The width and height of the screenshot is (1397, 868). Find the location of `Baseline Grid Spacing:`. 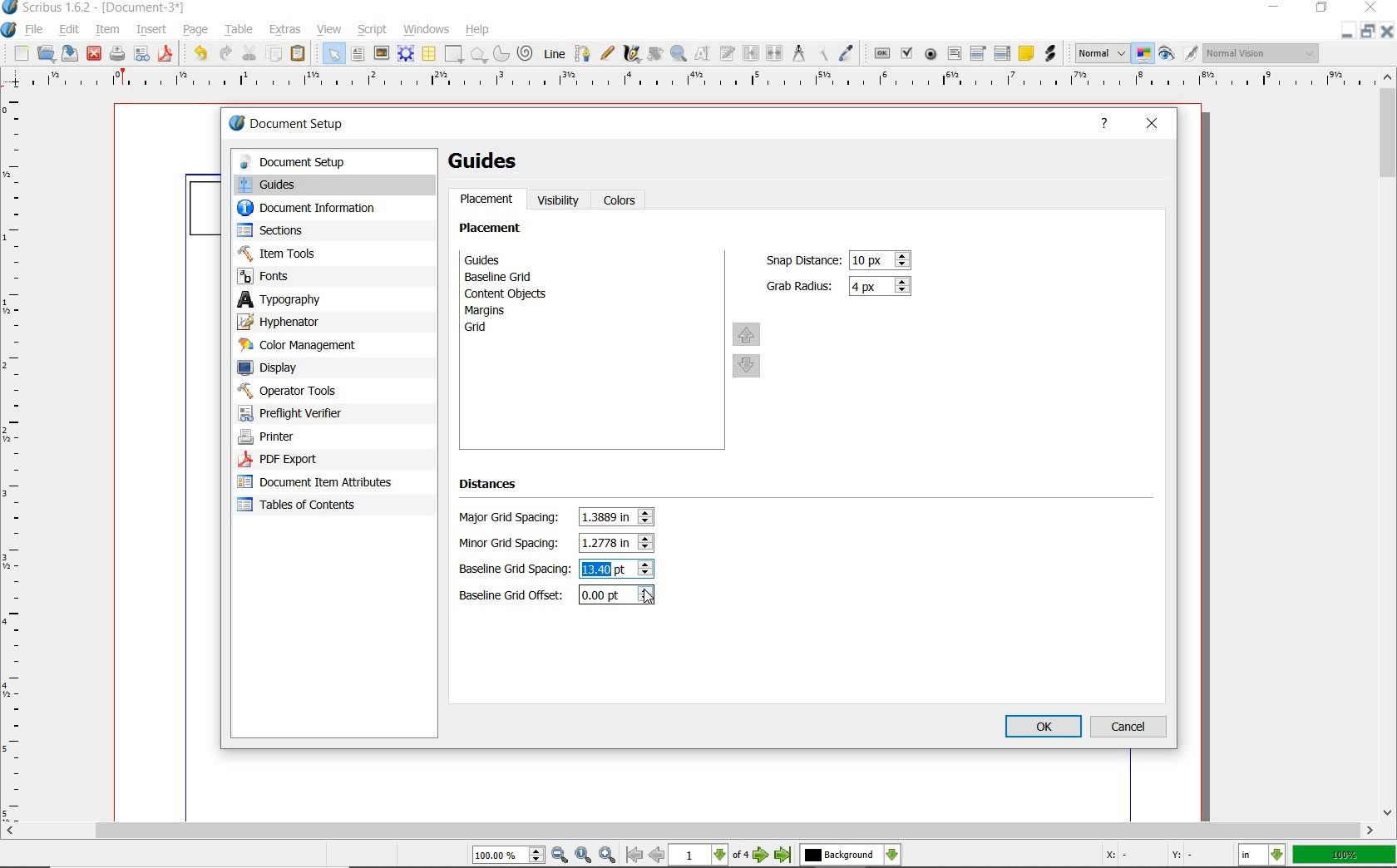

Baseline Grid Spacing: is located at coordinates (515, 570).